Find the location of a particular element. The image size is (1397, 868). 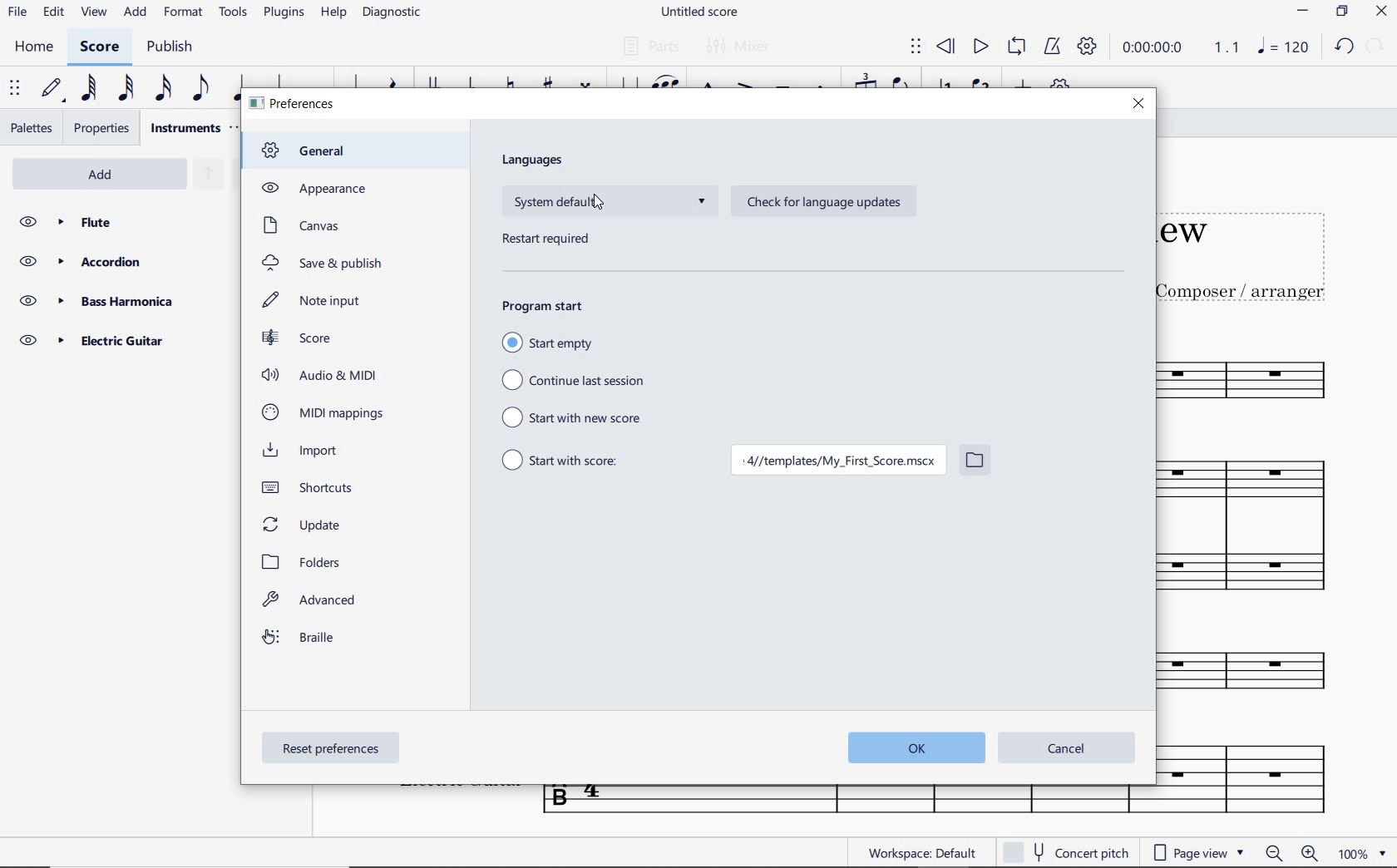

file name is located at coordinates (698, 12).